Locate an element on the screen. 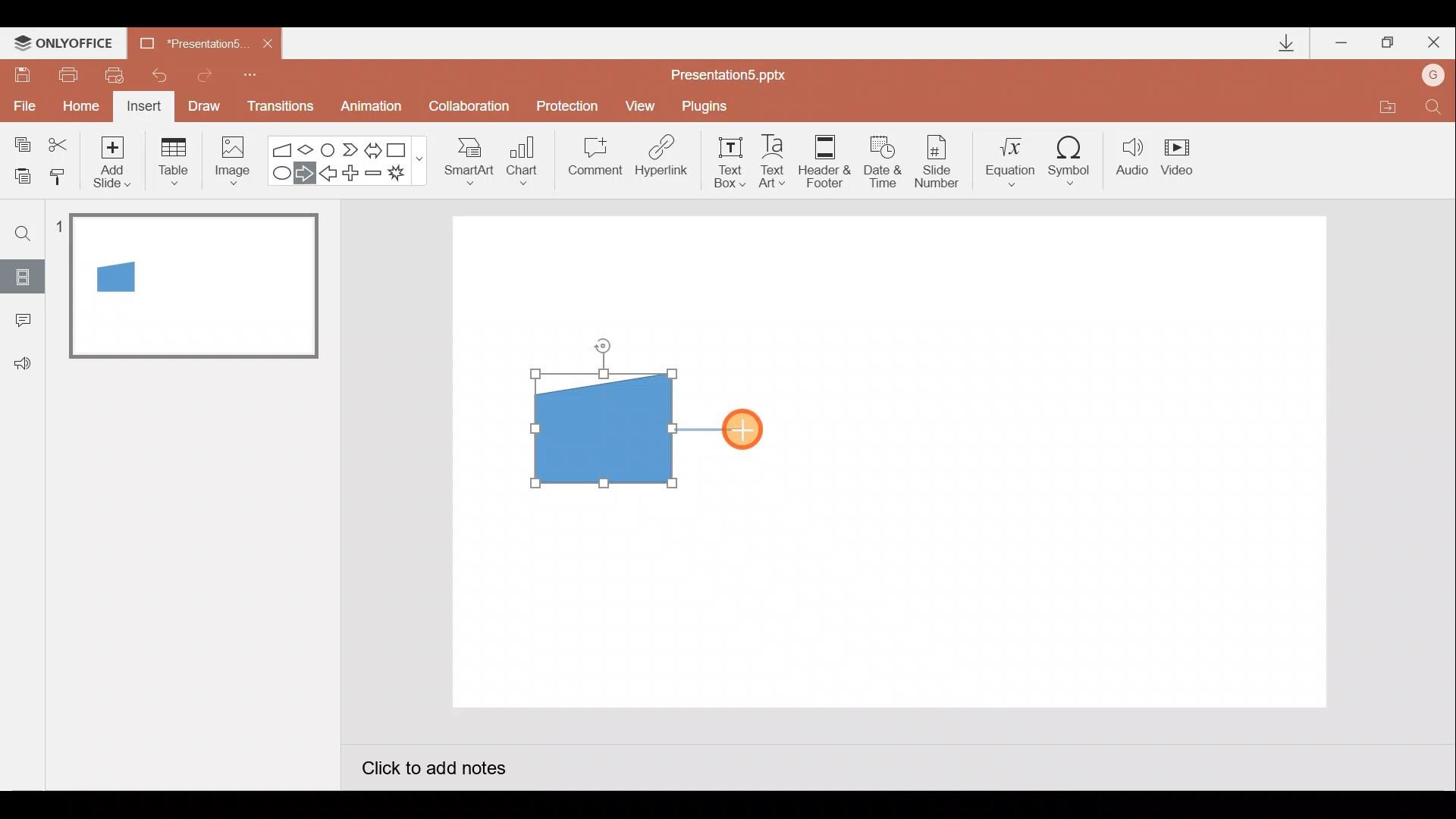 The height and width of the screenshot is (819, 1456). Redo is located at coordinates (206, 73).